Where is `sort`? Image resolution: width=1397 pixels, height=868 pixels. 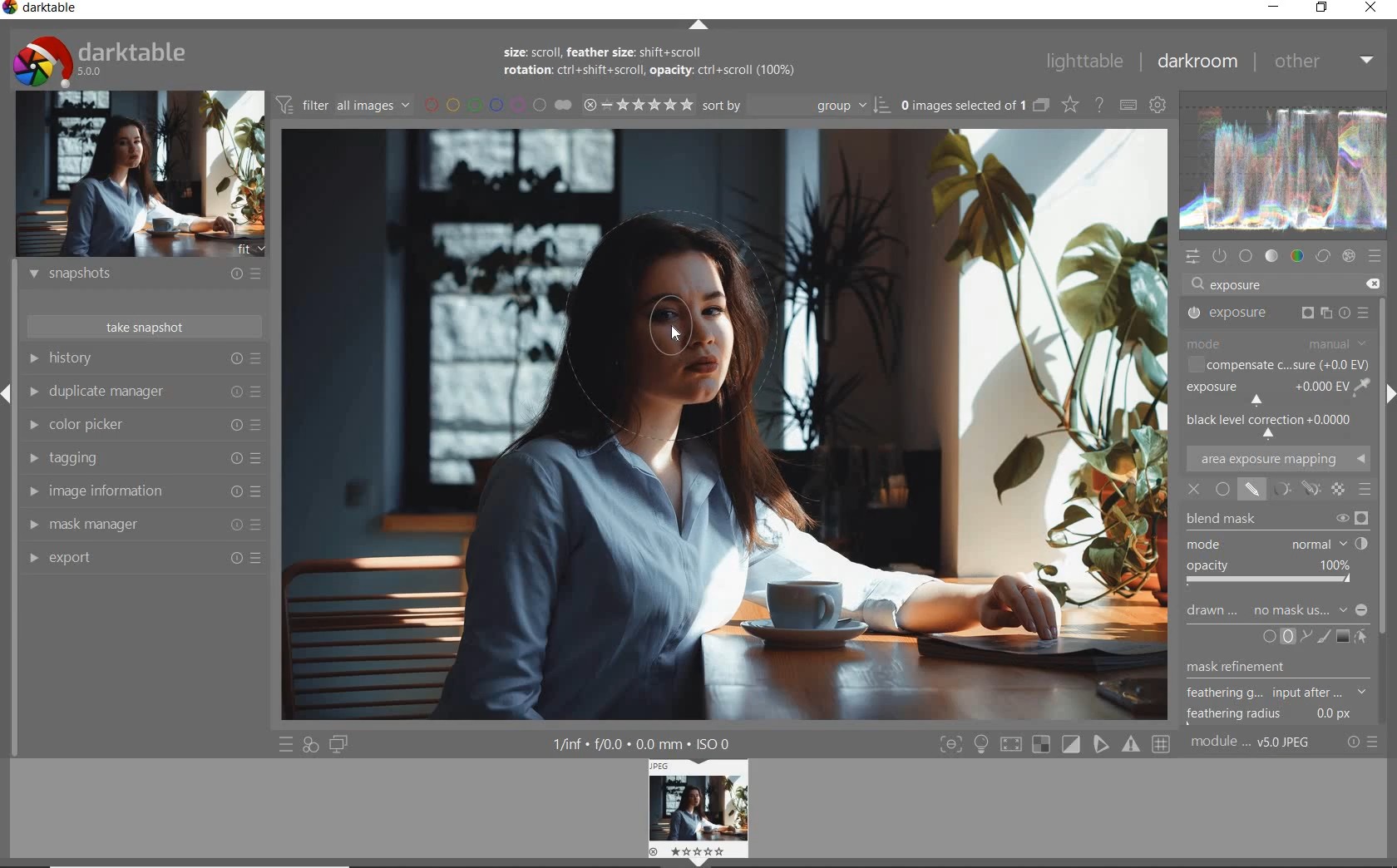
sort is located at coordinates (793, 106).